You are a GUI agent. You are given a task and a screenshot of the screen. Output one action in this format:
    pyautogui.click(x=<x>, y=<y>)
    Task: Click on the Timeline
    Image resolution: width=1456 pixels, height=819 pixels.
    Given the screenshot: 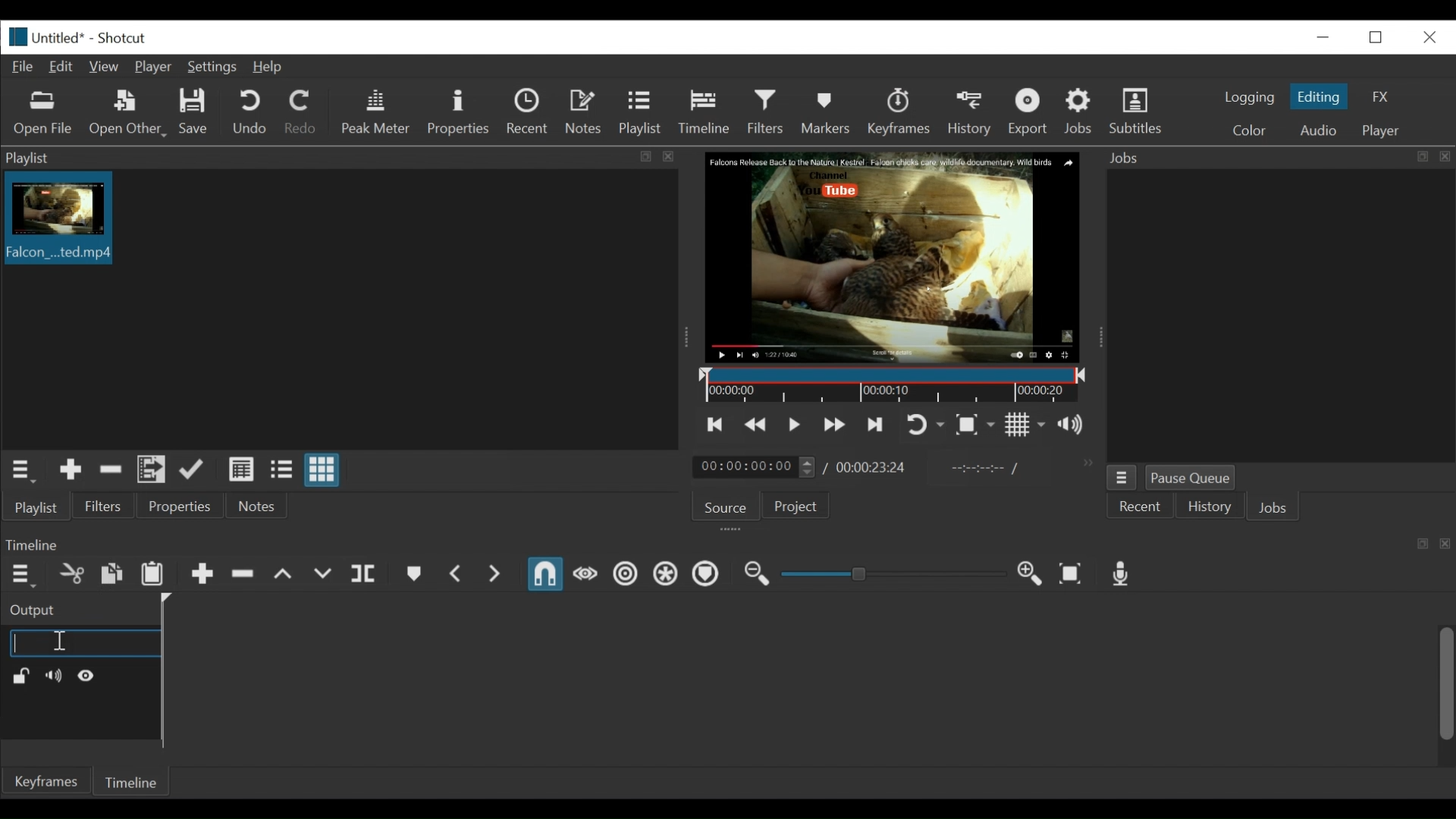 What is the action you would take?
    pyautogui.click(x=127, y=783)
    